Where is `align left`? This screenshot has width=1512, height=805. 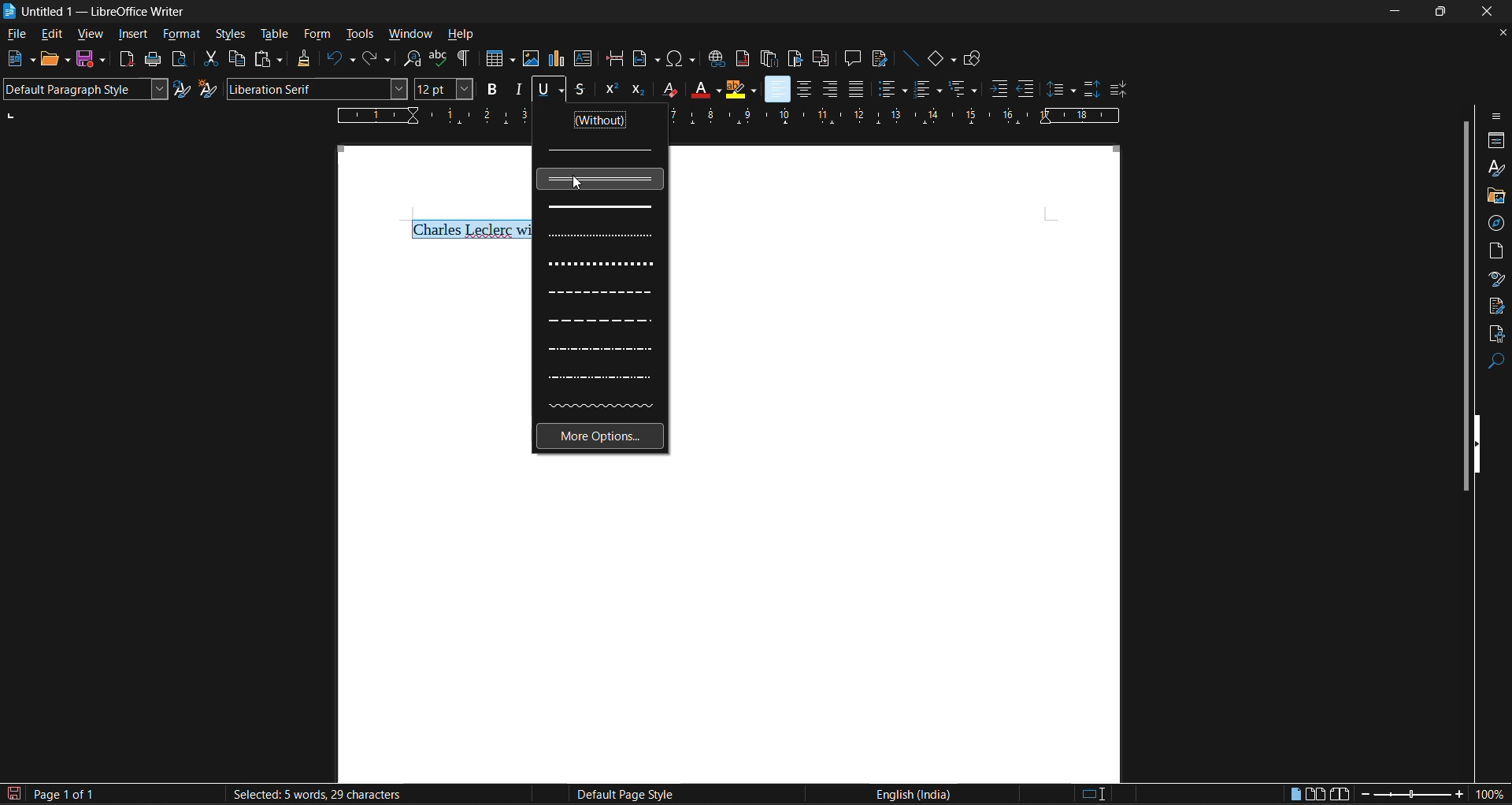
align left is located at coordinates (778, 88).